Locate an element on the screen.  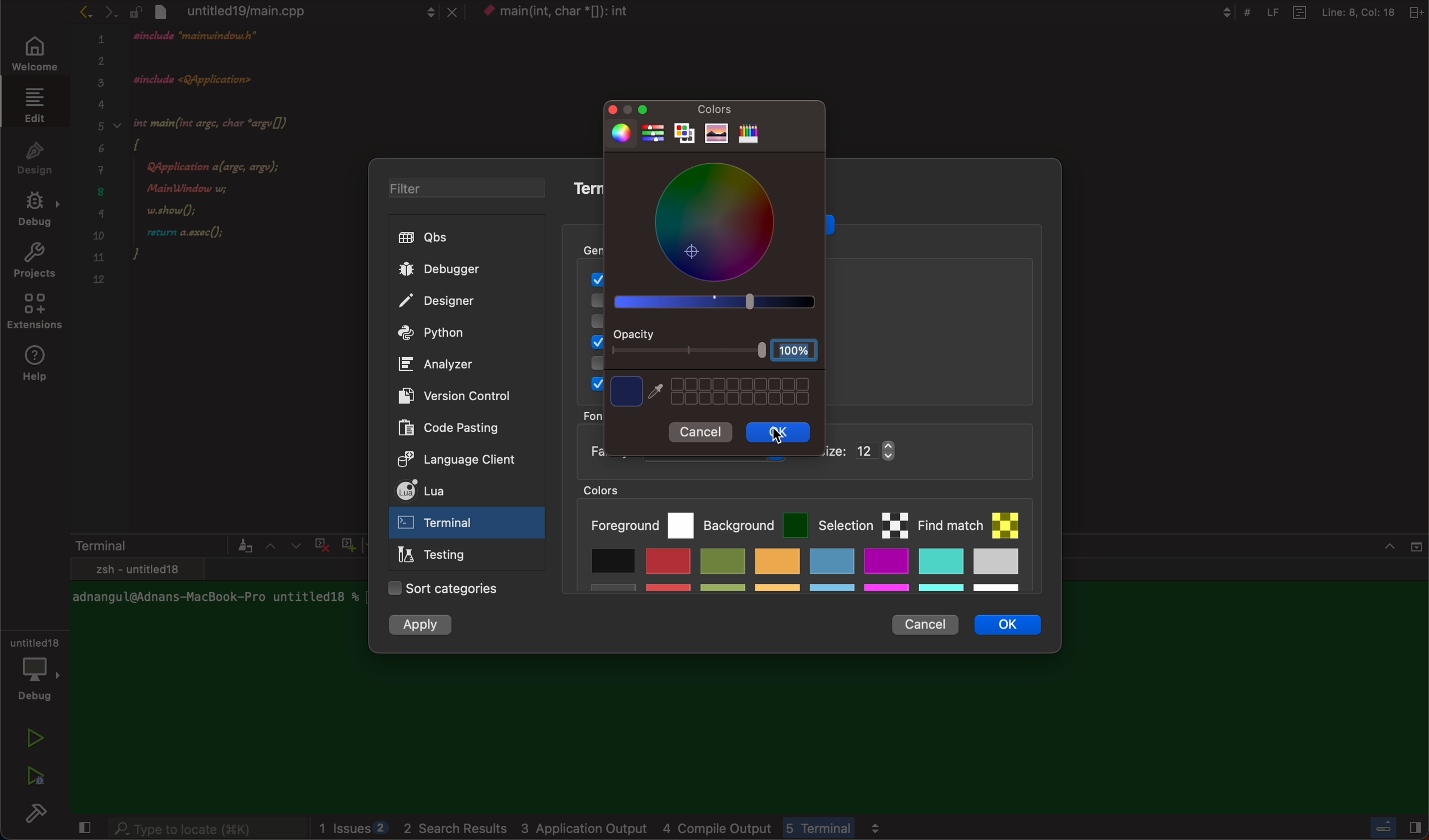
arrows is located at coordinates (282, 545).